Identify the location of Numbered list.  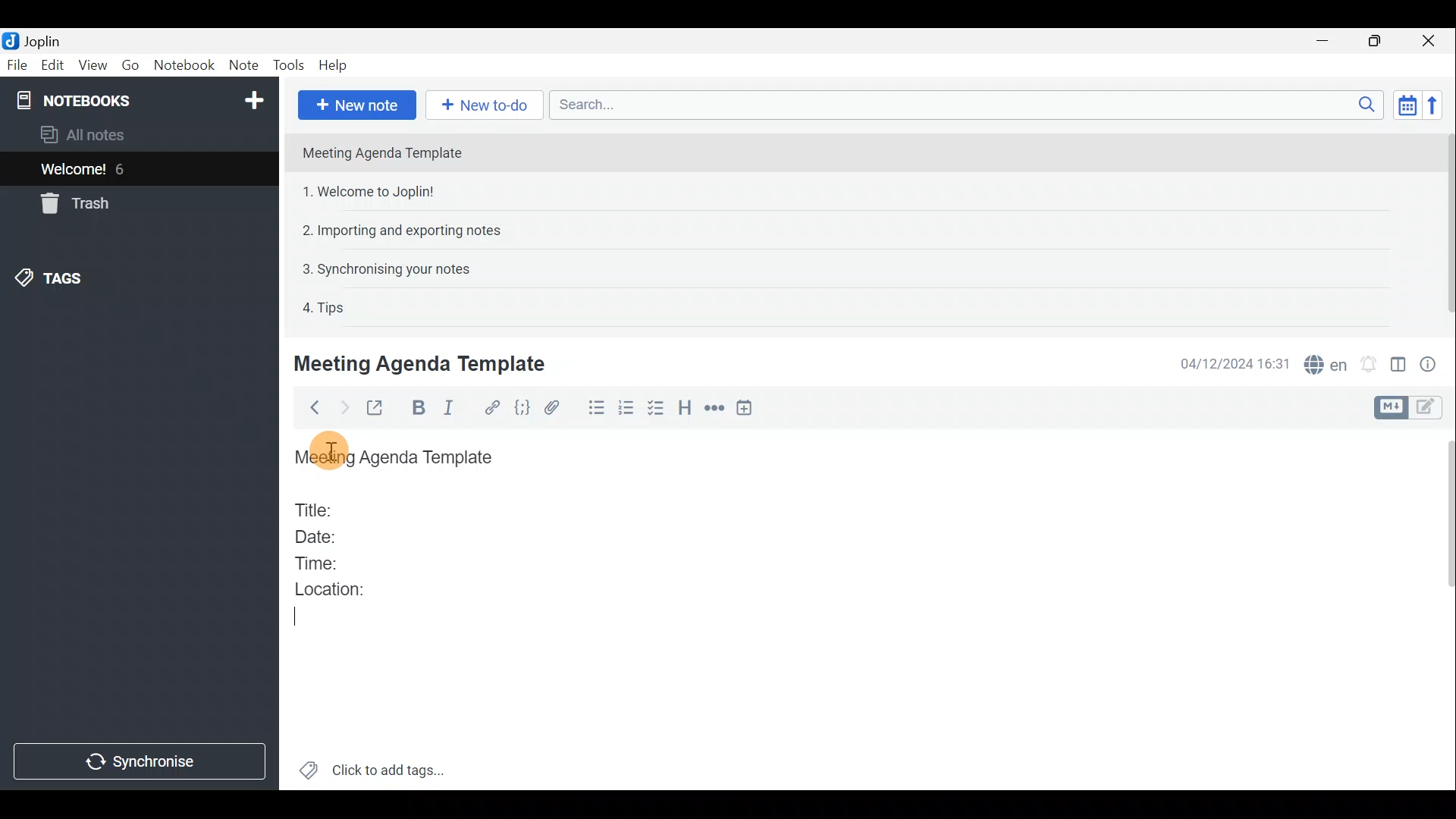
(626, 410).